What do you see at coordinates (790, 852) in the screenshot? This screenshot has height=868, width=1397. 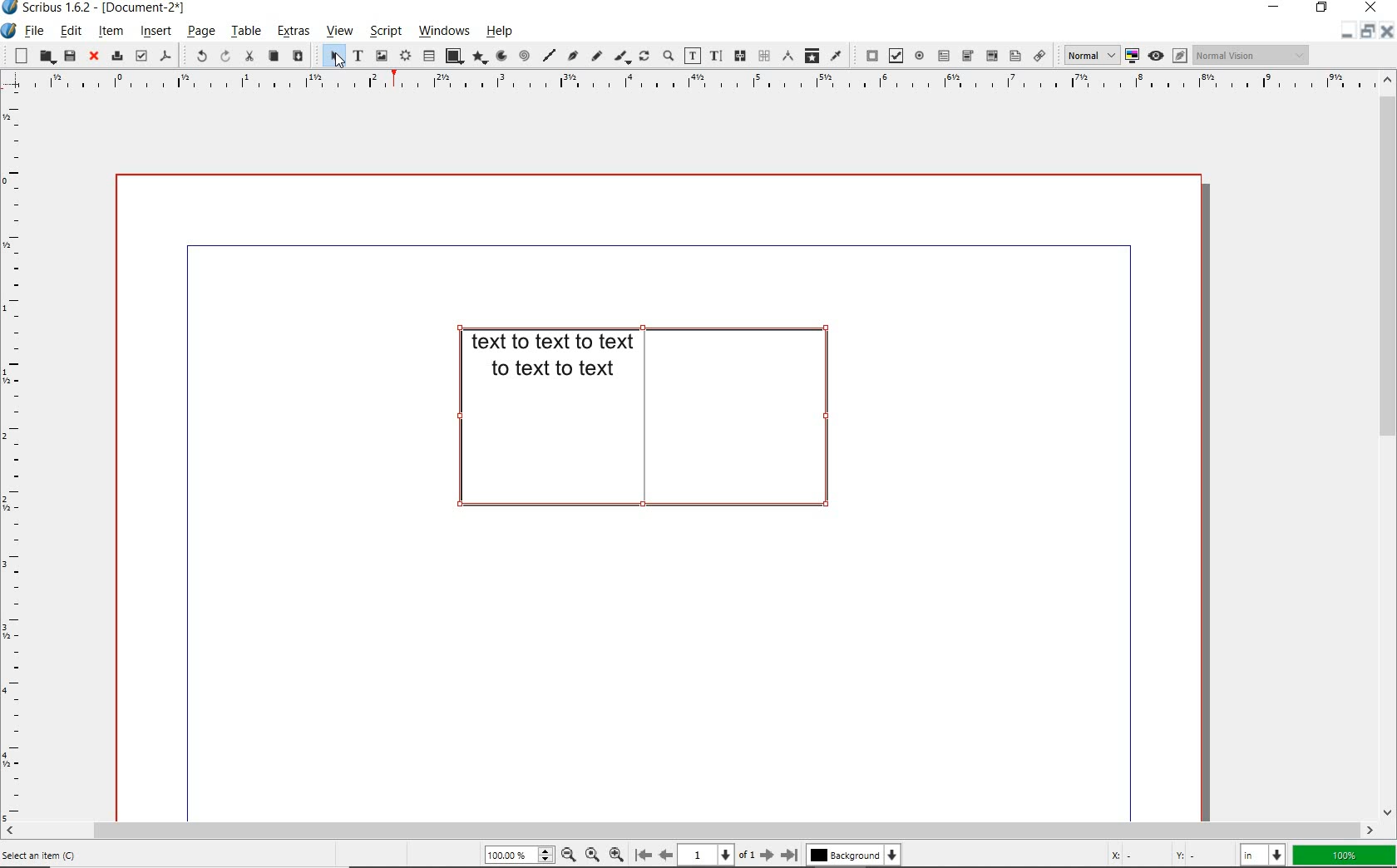 I see `go to last page` at bounding box center [790, 852].